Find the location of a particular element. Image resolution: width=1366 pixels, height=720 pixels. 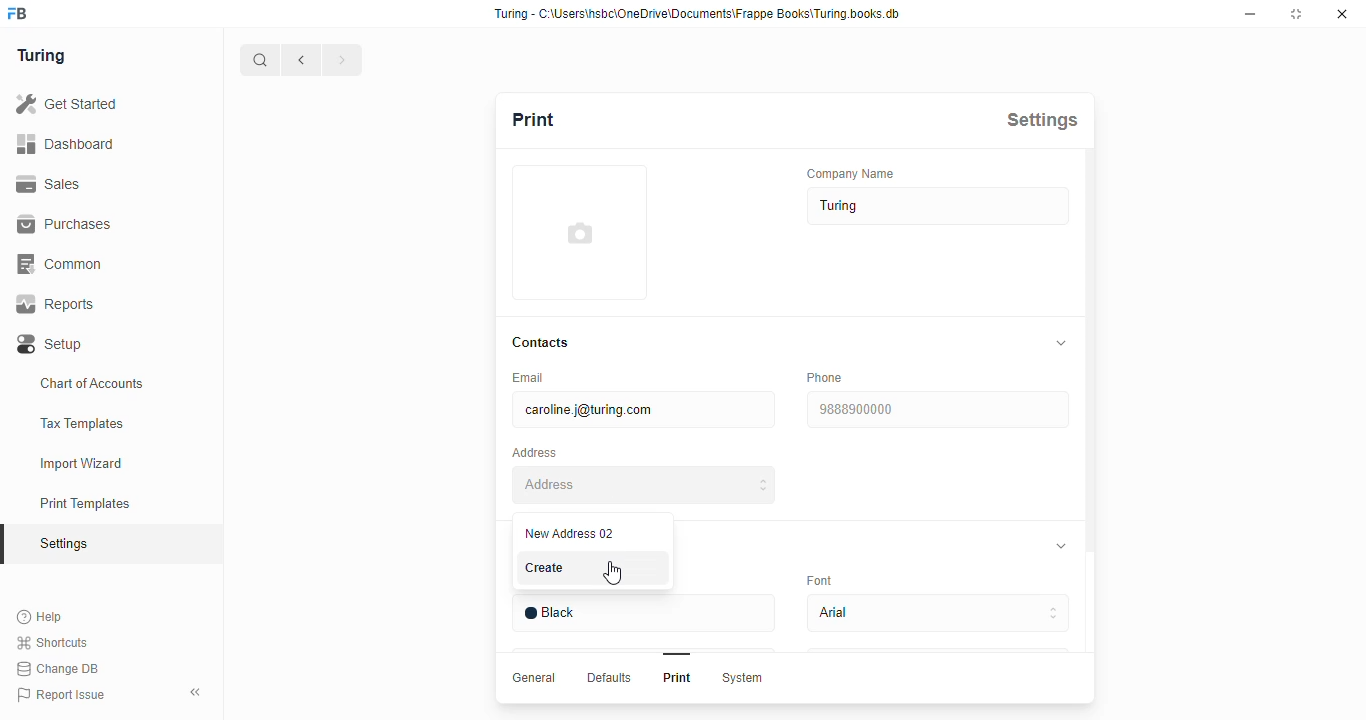

turing is located at coordinates (40, 55).